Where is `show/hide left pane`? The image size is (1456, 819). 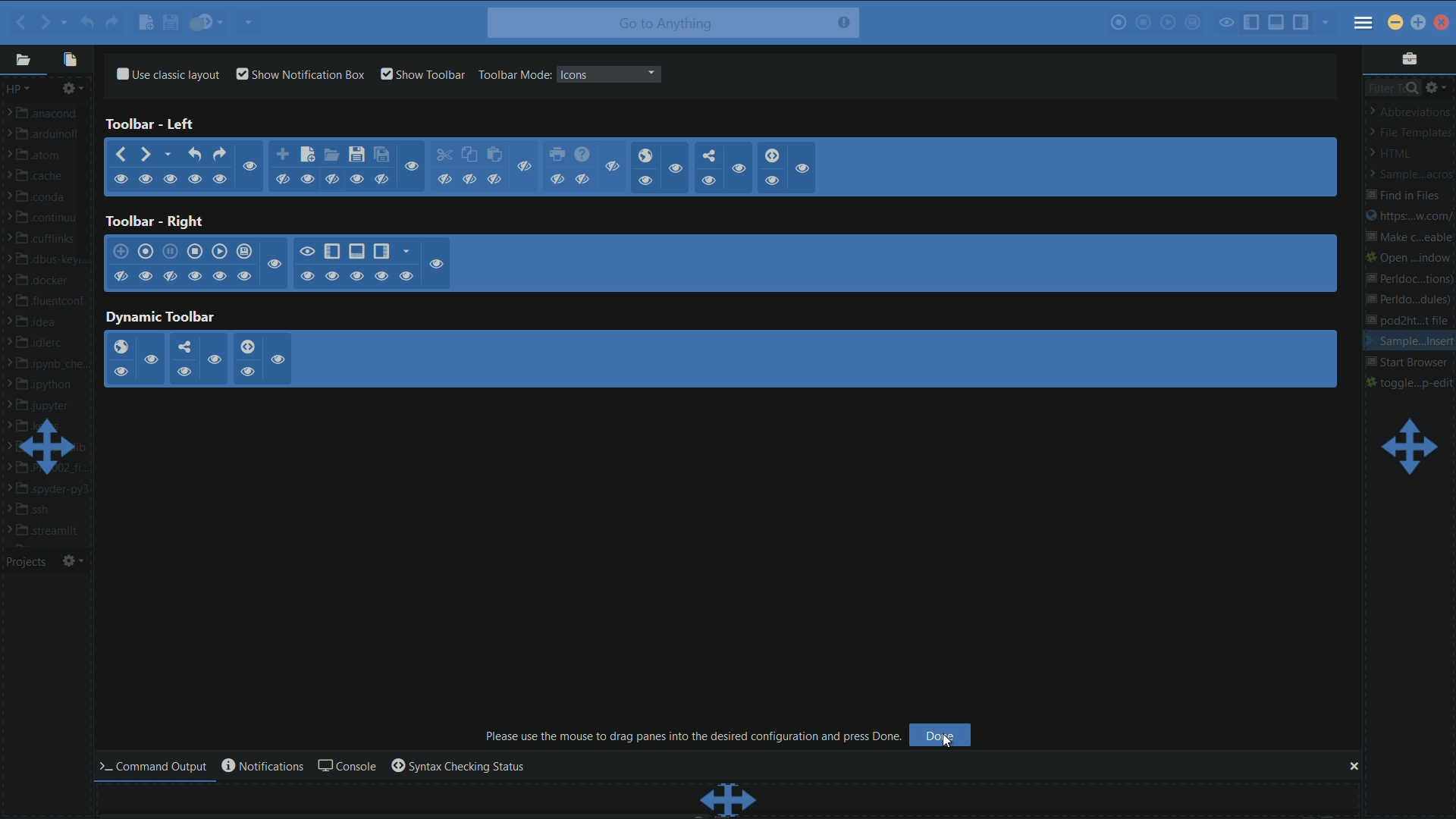
show/hide left pane is located at coordinates (331, 251).